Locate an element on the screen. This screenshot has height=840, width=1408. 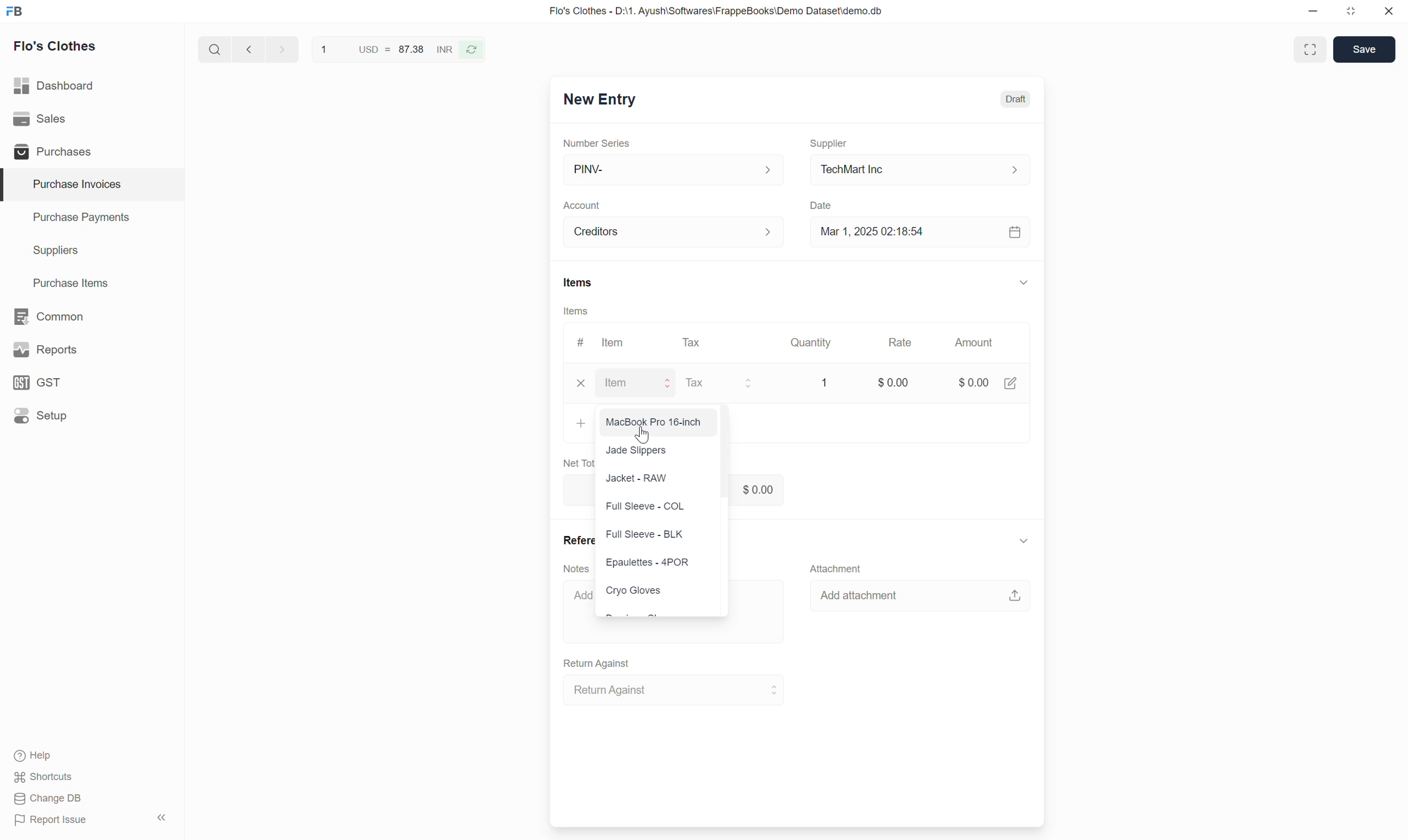
Previous is located at coordinates (249, 49).